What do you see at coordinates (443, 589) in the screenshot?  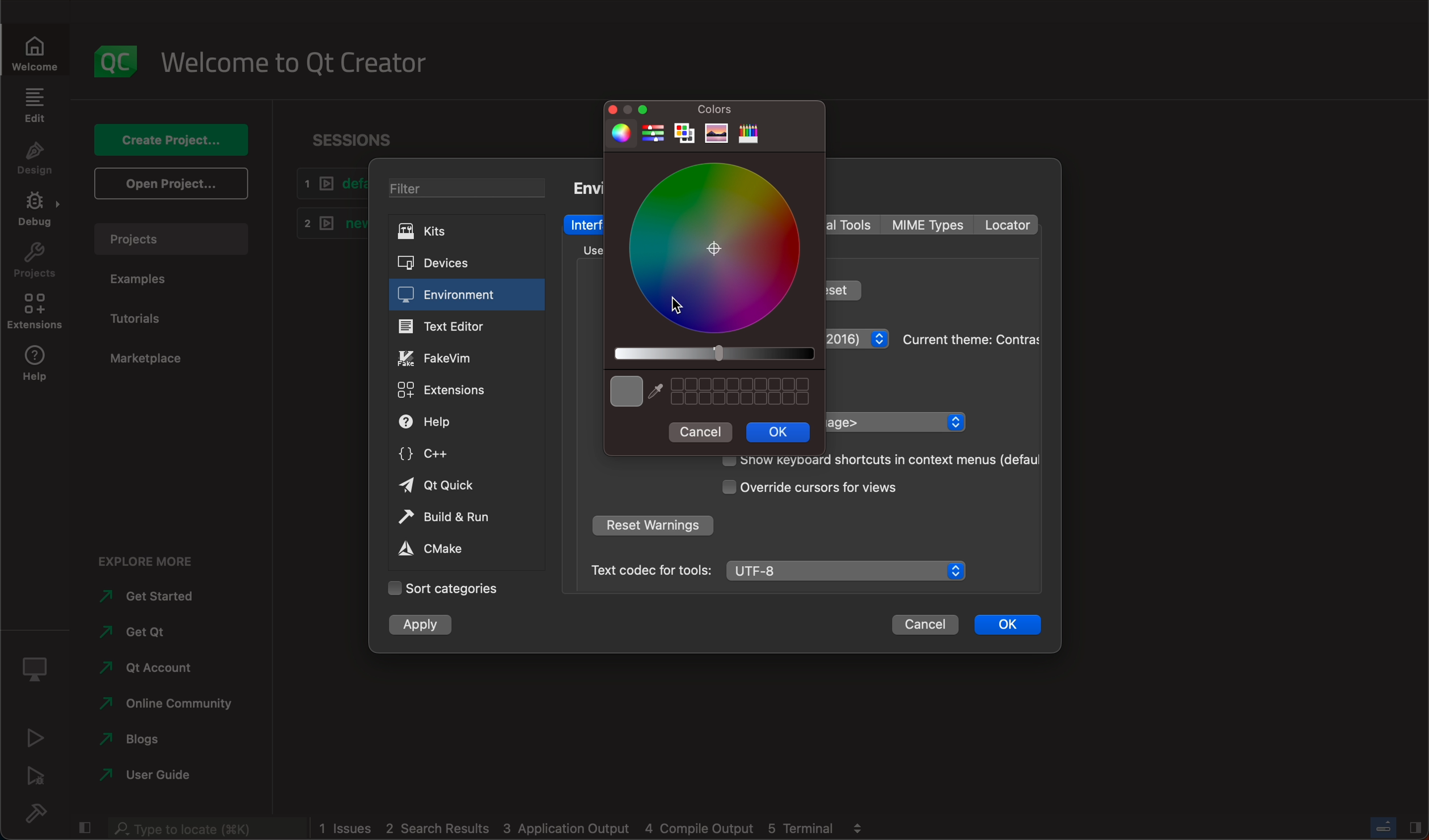 I see `categories` at bounding box center [443, 589].